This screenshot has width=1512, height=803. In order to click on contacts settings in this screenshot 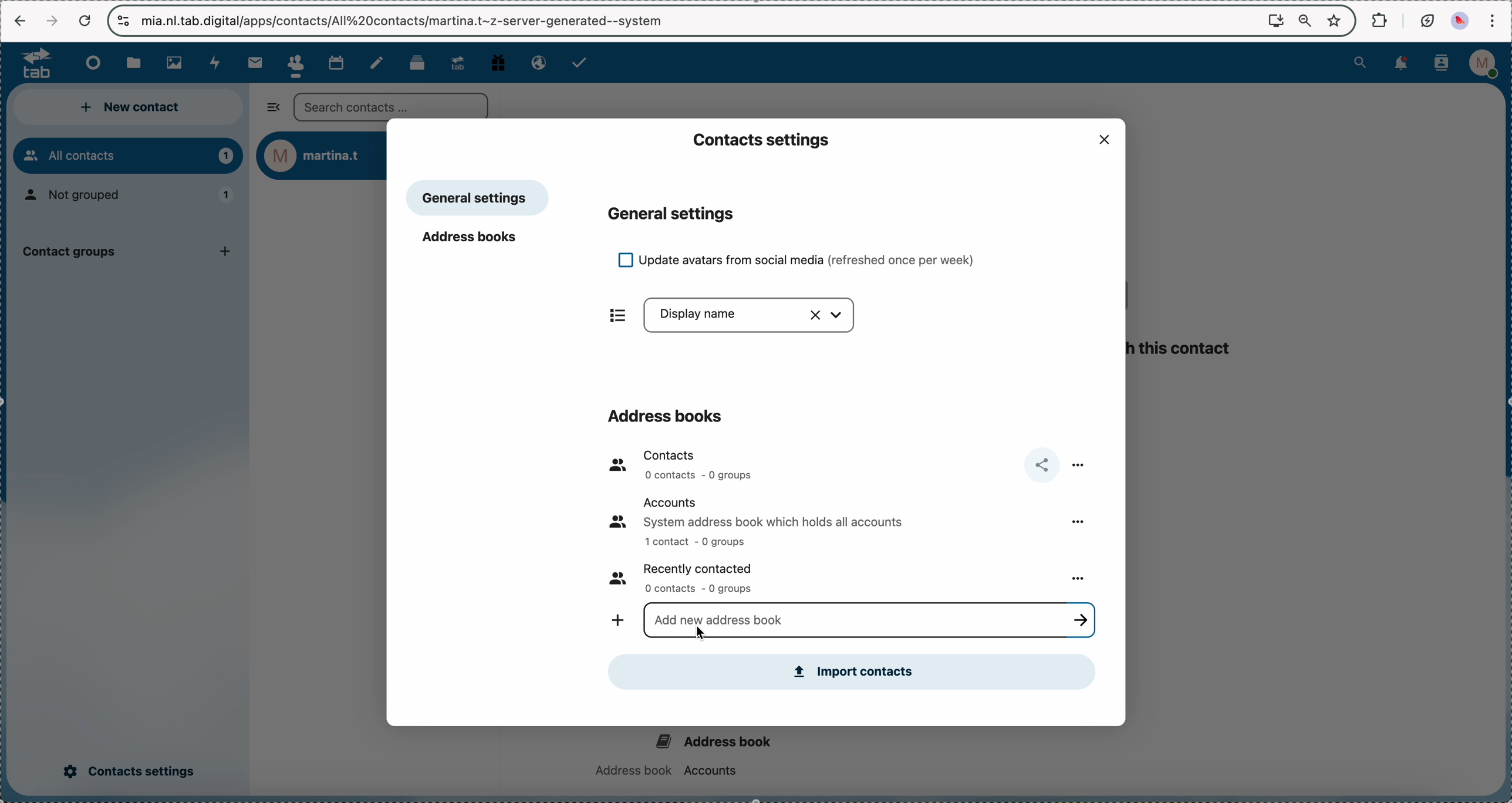, I will do `click(759, 138)`.